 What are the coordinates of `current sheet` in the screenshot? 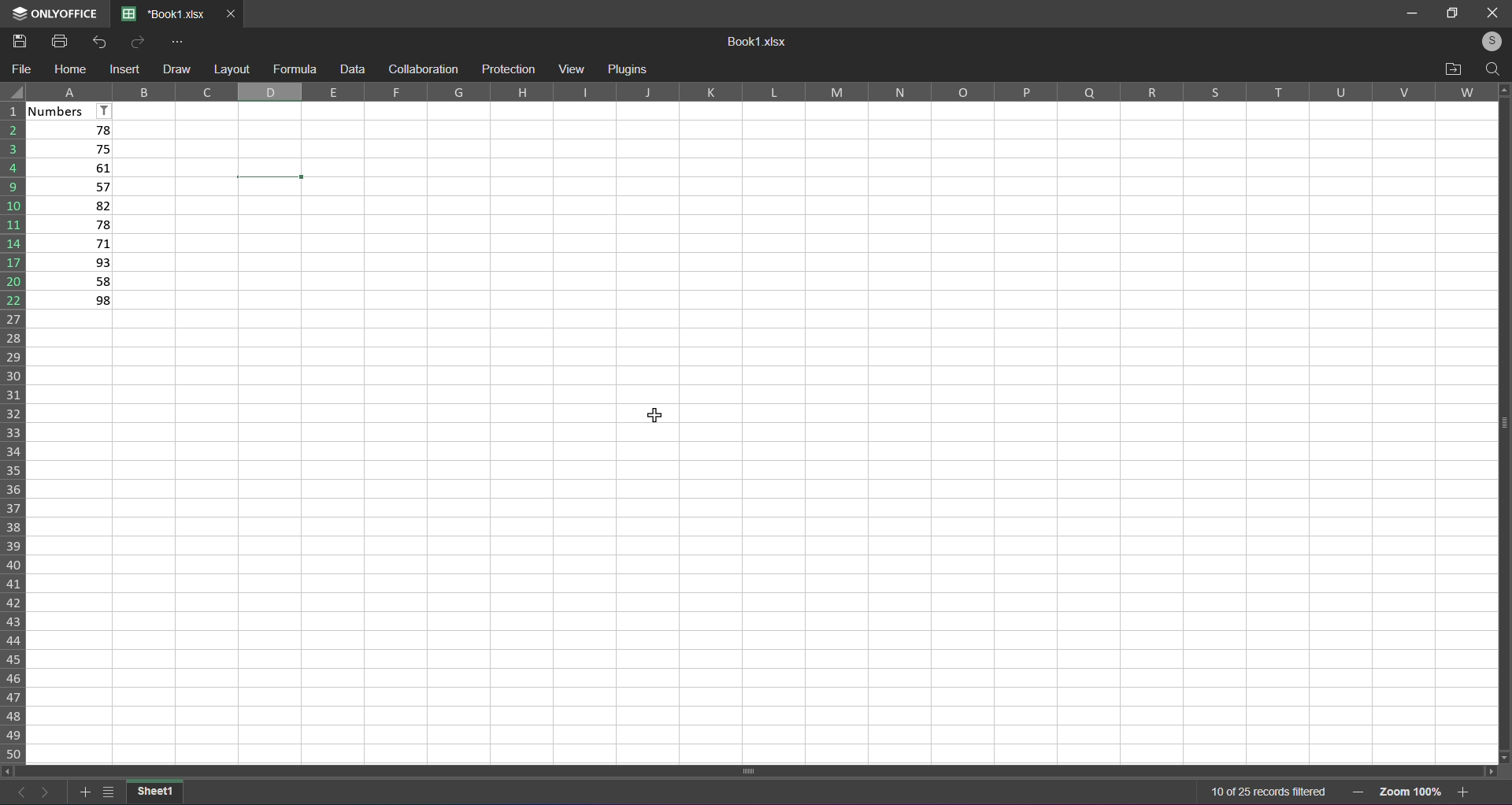 It's located at (155, 791).